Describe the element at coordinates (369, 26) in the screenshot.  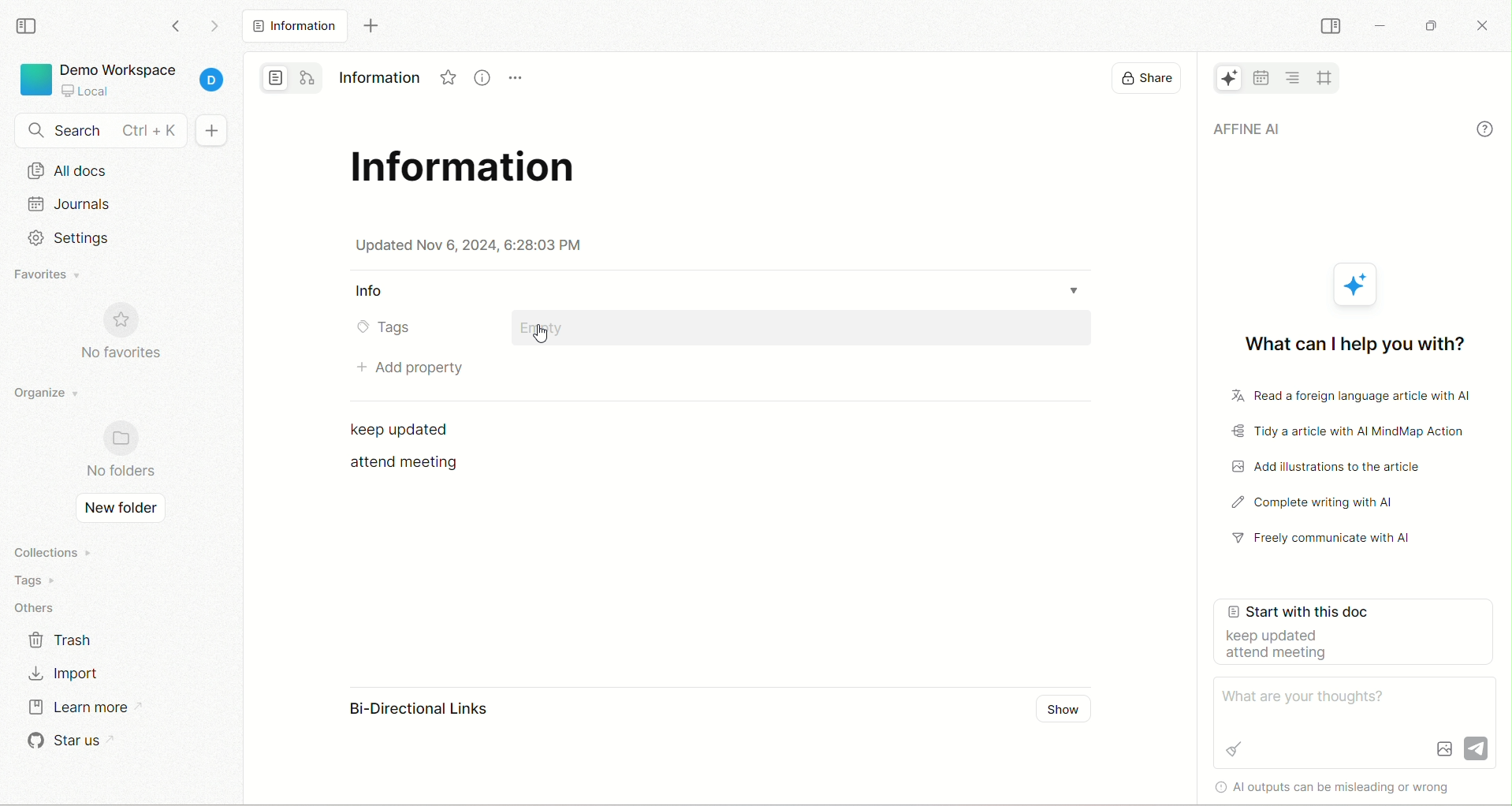
I see `new tab` at that location.